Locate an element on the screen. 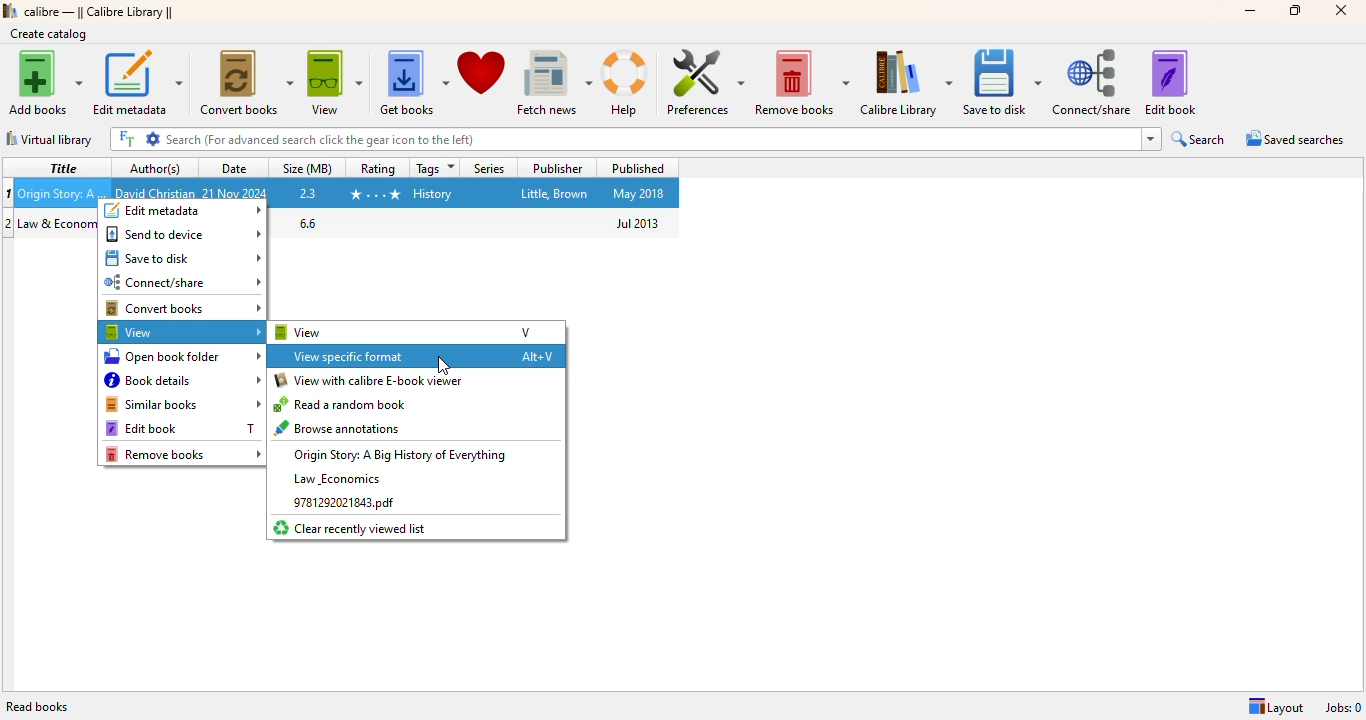  shortcut for edit book is located at coordinates (250, 428).